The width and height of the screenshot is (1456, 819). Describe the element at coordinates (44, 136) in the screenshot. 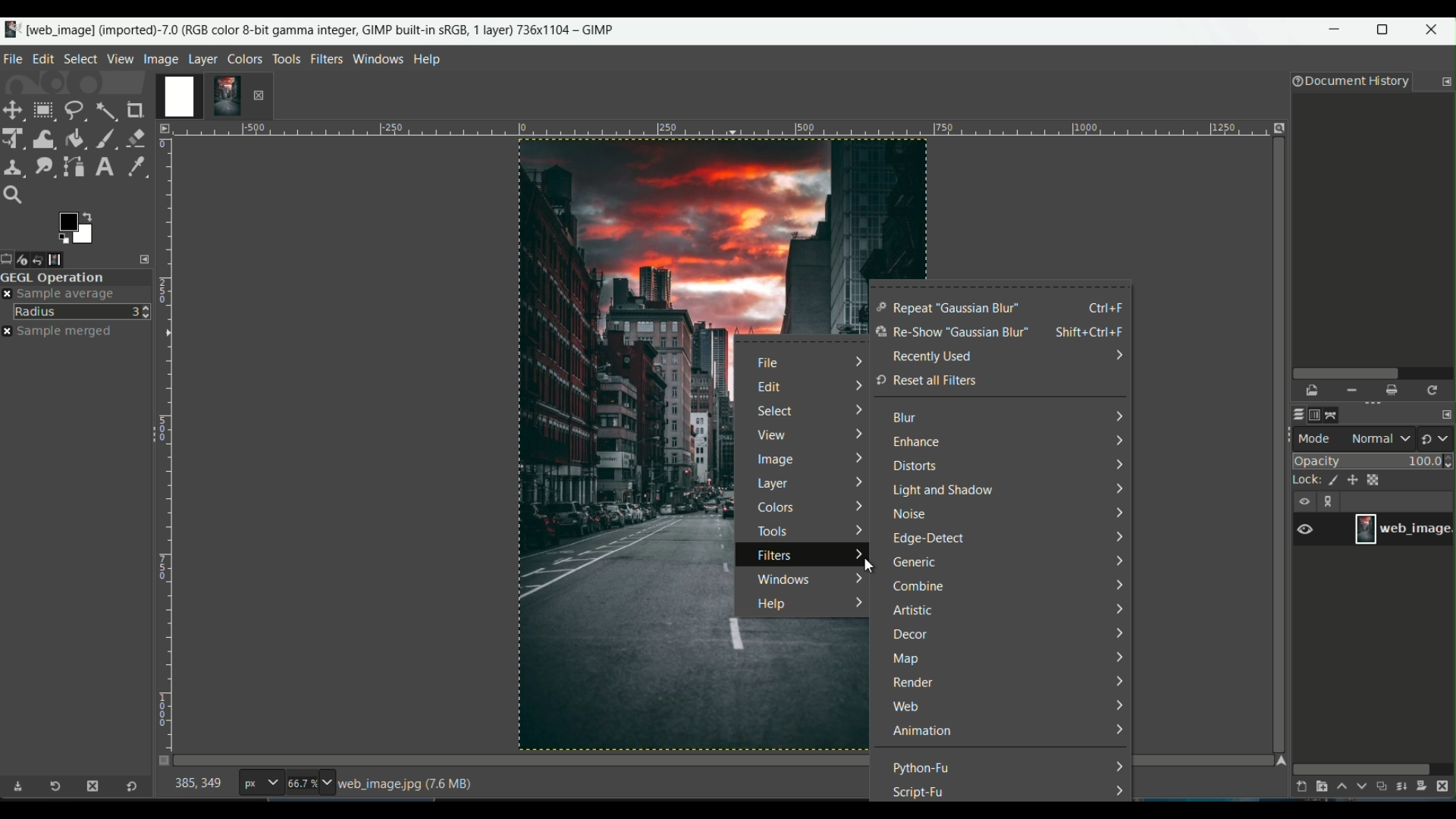

I see `transformation tool` at that location.